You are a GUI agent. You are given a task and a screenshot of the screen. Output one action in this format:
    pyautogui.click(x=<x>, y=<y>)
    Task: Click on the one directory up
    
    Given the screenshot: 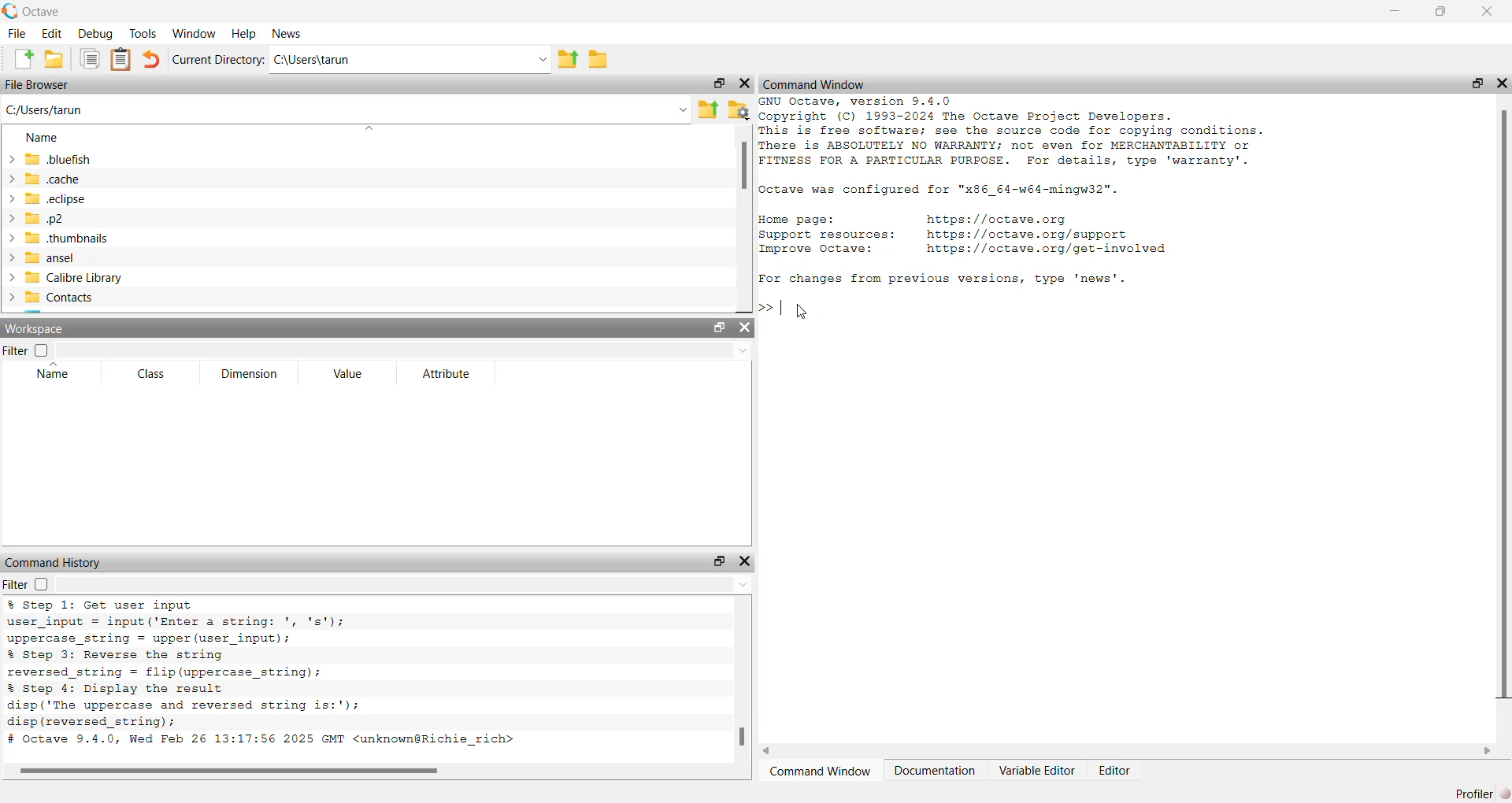 What is the action you would take?
    pyautogui.click(x=570, y=58)
    